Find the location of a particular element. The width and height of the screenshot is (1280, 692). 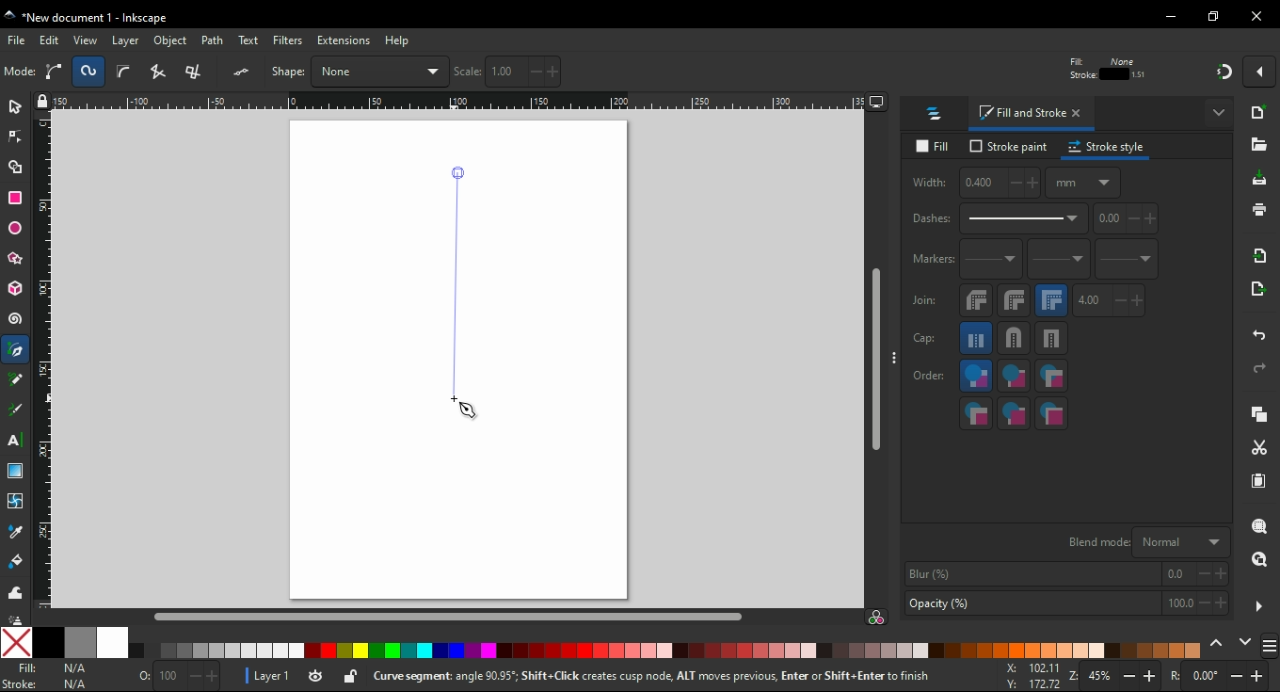

undo is located at coordinates (1261, 332).